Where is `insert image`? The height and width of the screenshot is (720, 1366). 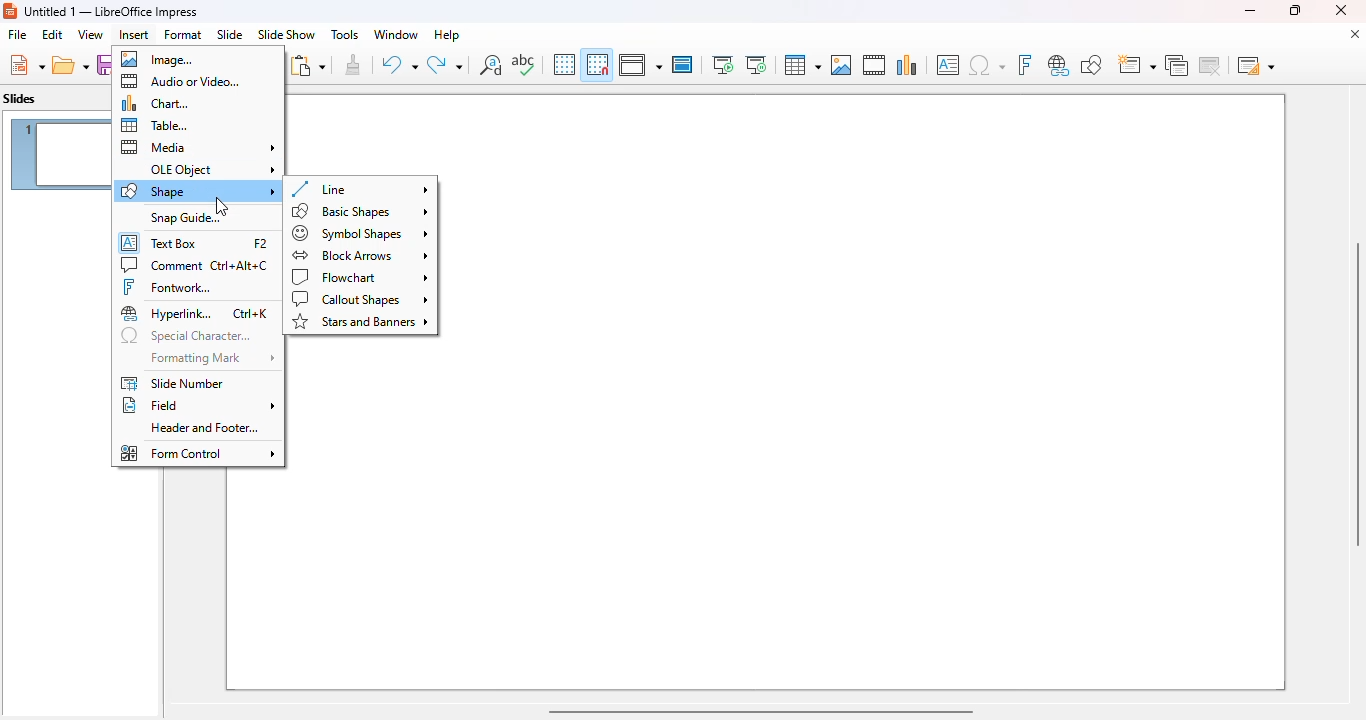 insert image is located at coordinates (841, 65).